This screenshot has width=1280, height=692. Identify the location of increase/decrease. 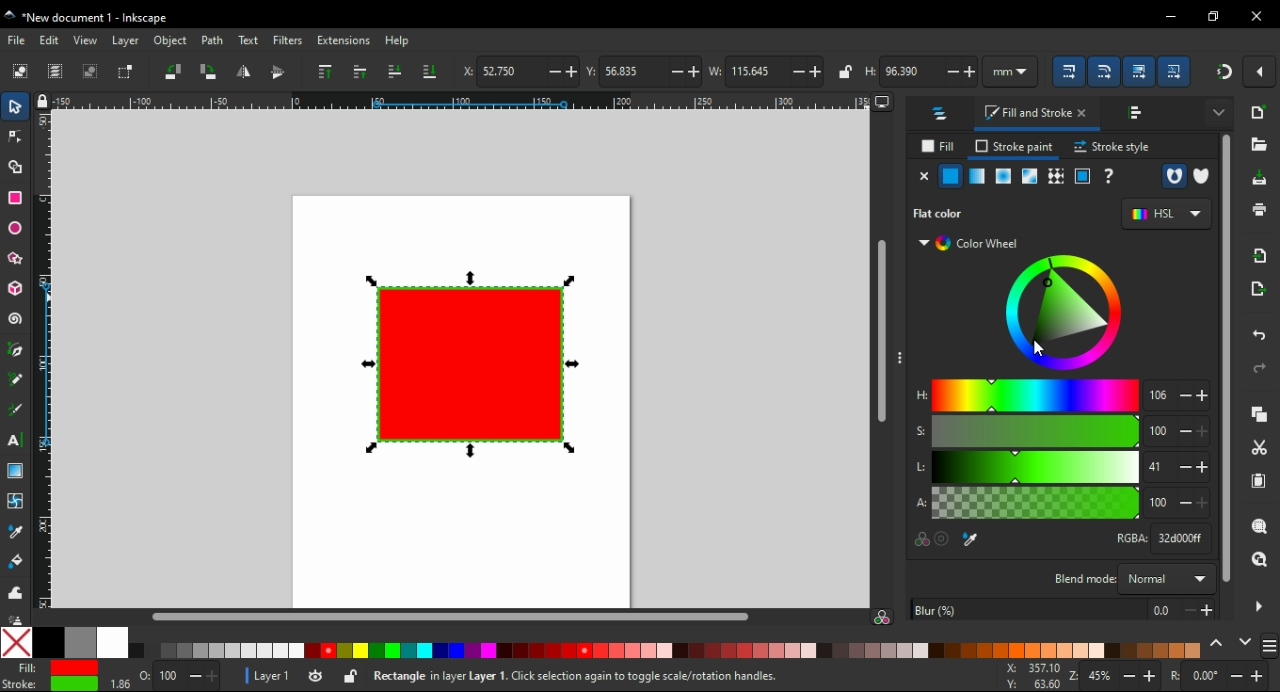
(808, 71).